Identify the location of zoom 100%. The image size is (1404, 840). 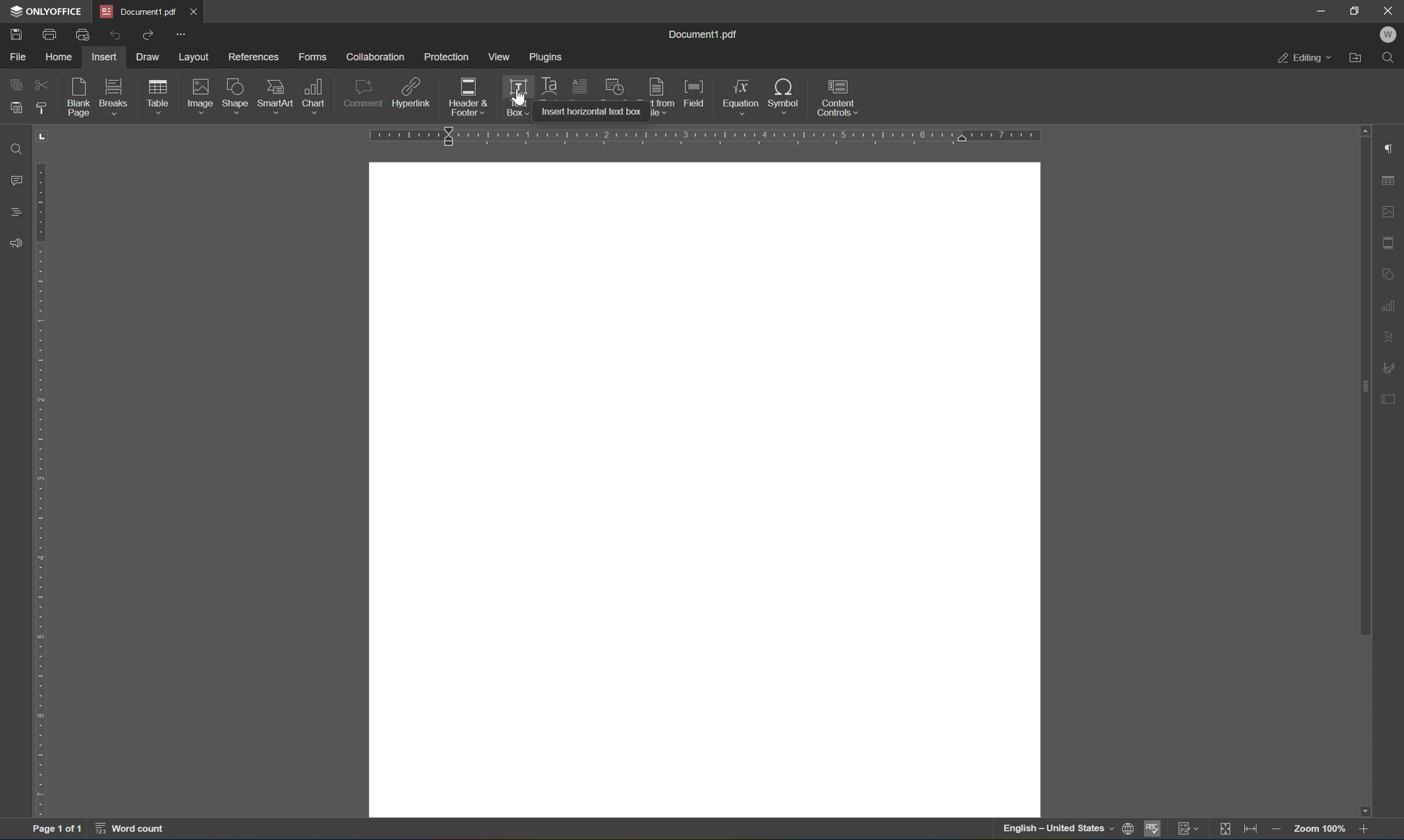
(1320, 831).